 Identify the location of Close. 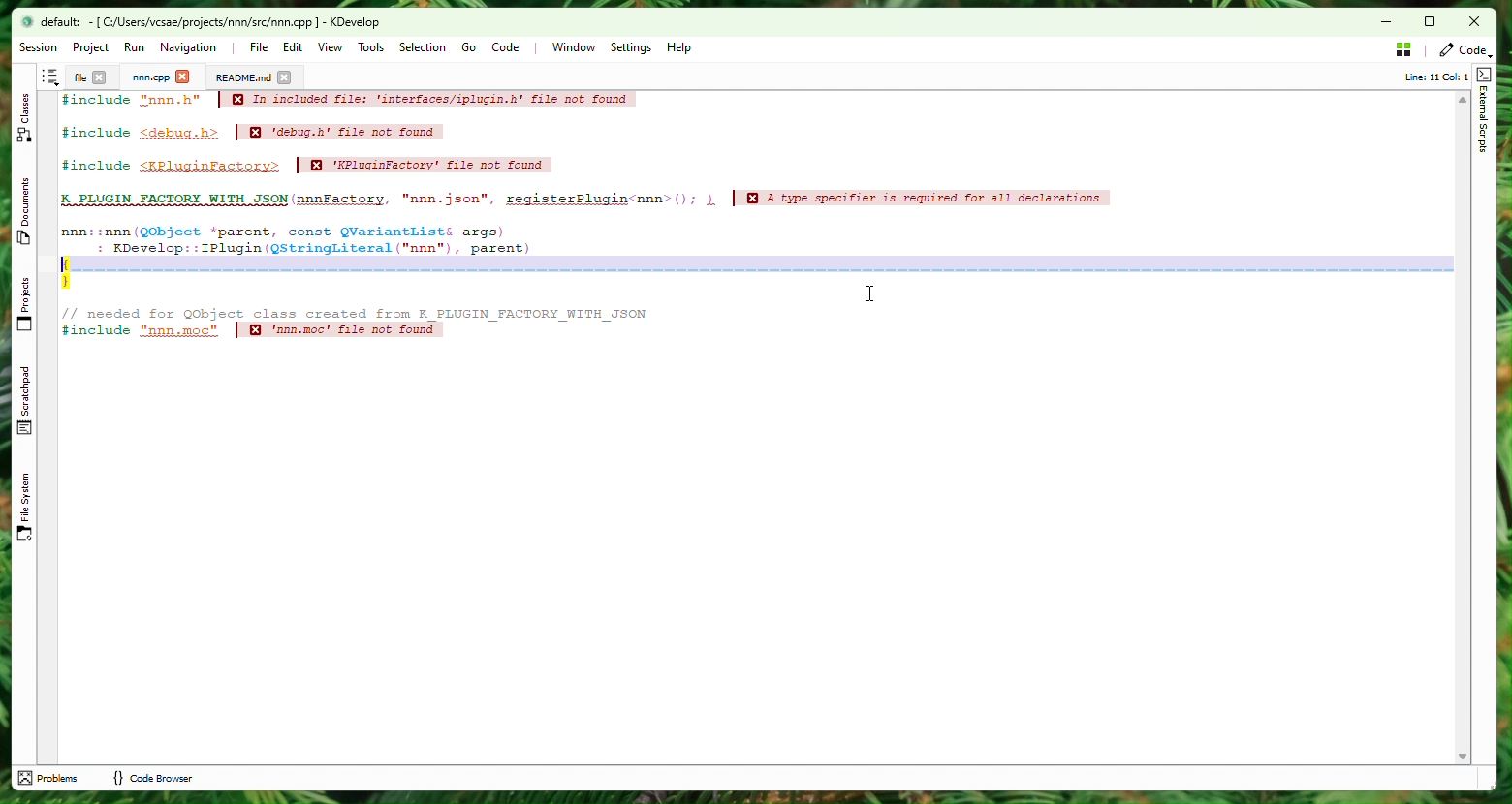
(1476, 22).